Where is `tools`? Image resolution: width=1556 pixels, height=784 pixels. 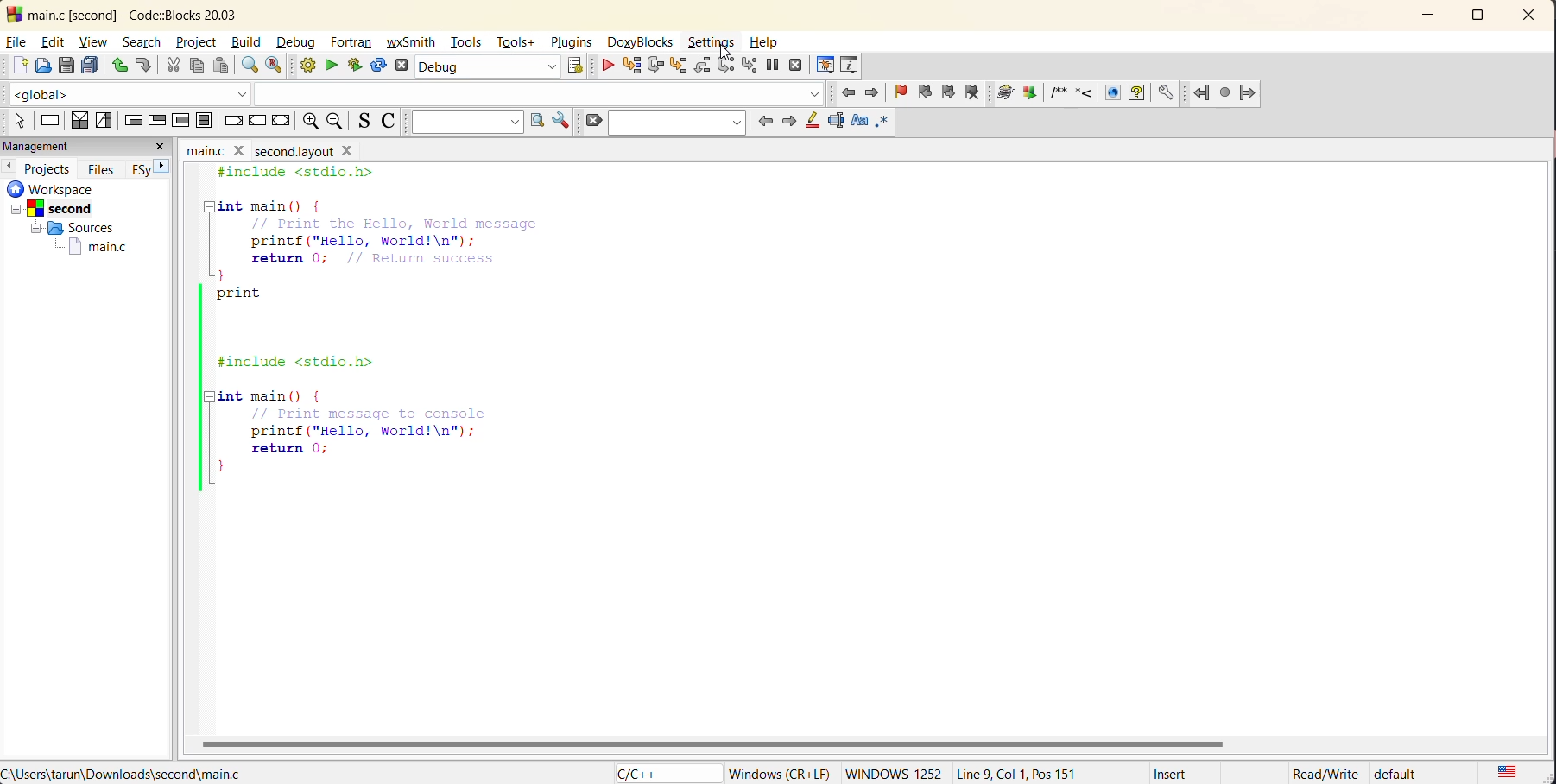
tools is located at coordinates (468, 44).